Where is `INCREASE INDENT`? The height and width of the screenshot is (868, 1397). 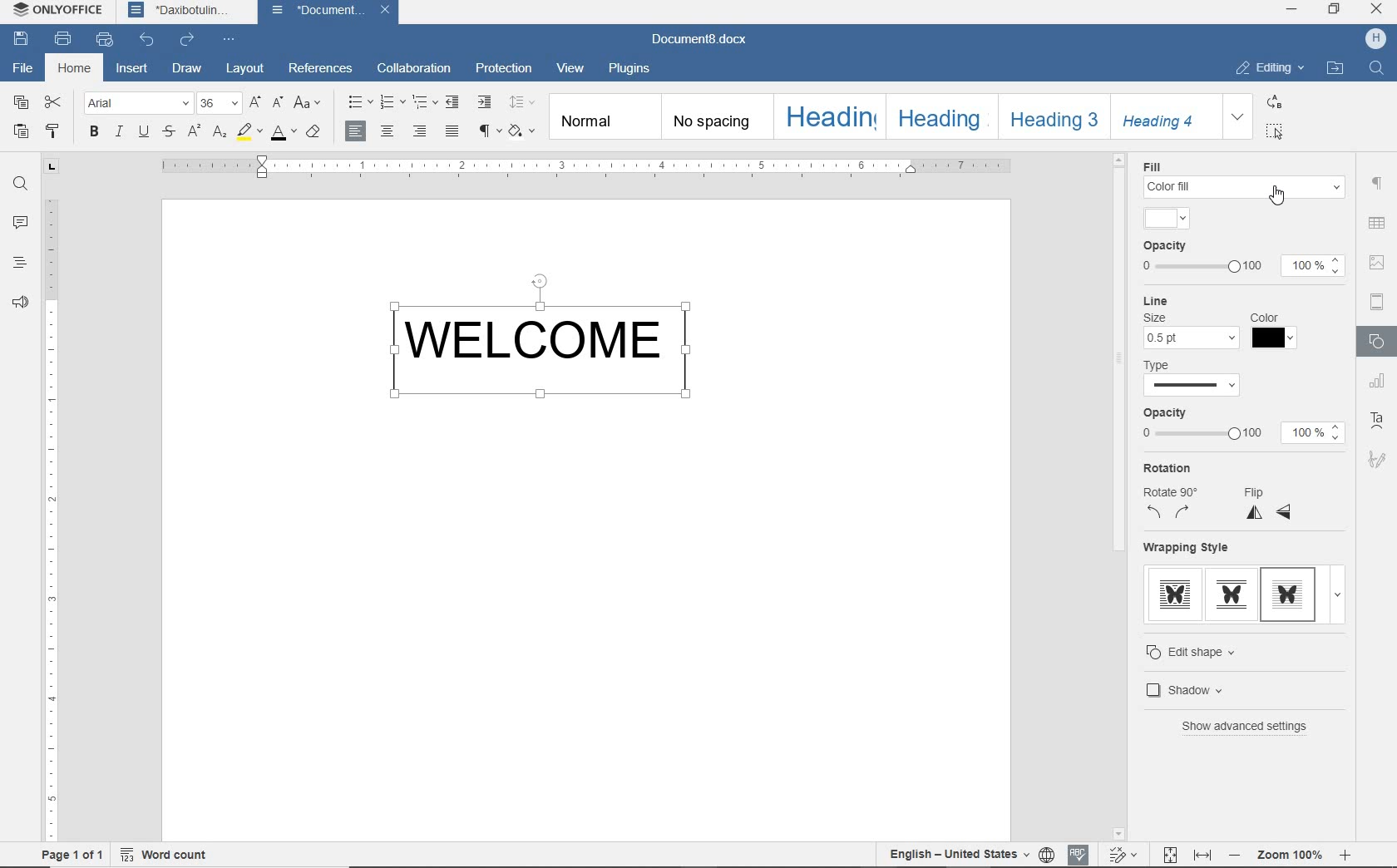 INCREASE INDENT is located at coordinates (486, 103).